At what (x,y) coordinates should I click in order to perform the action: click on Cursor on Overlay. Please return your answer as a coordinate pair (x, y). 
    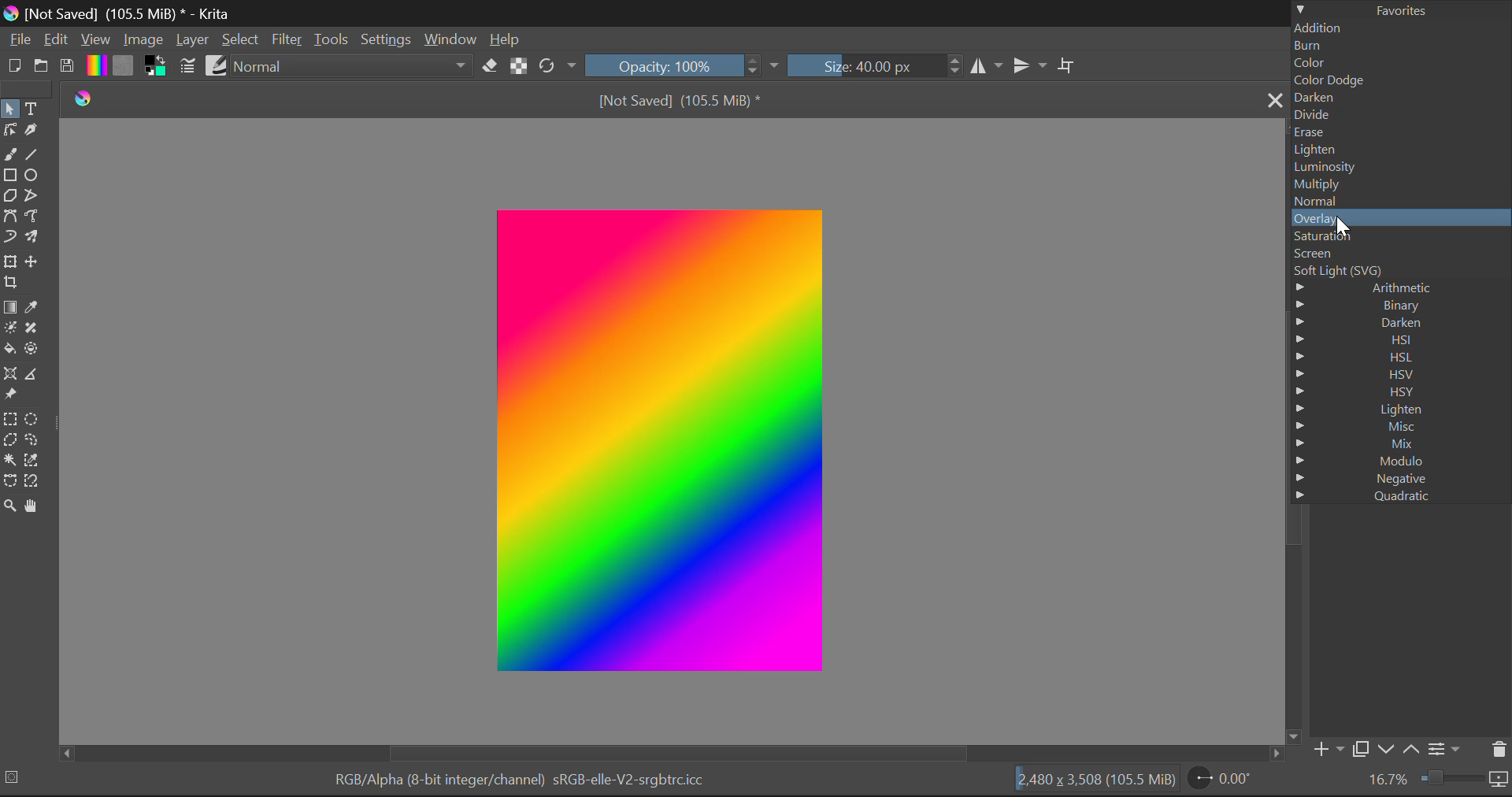
    Looking at the image, I should click on (1399, 219).